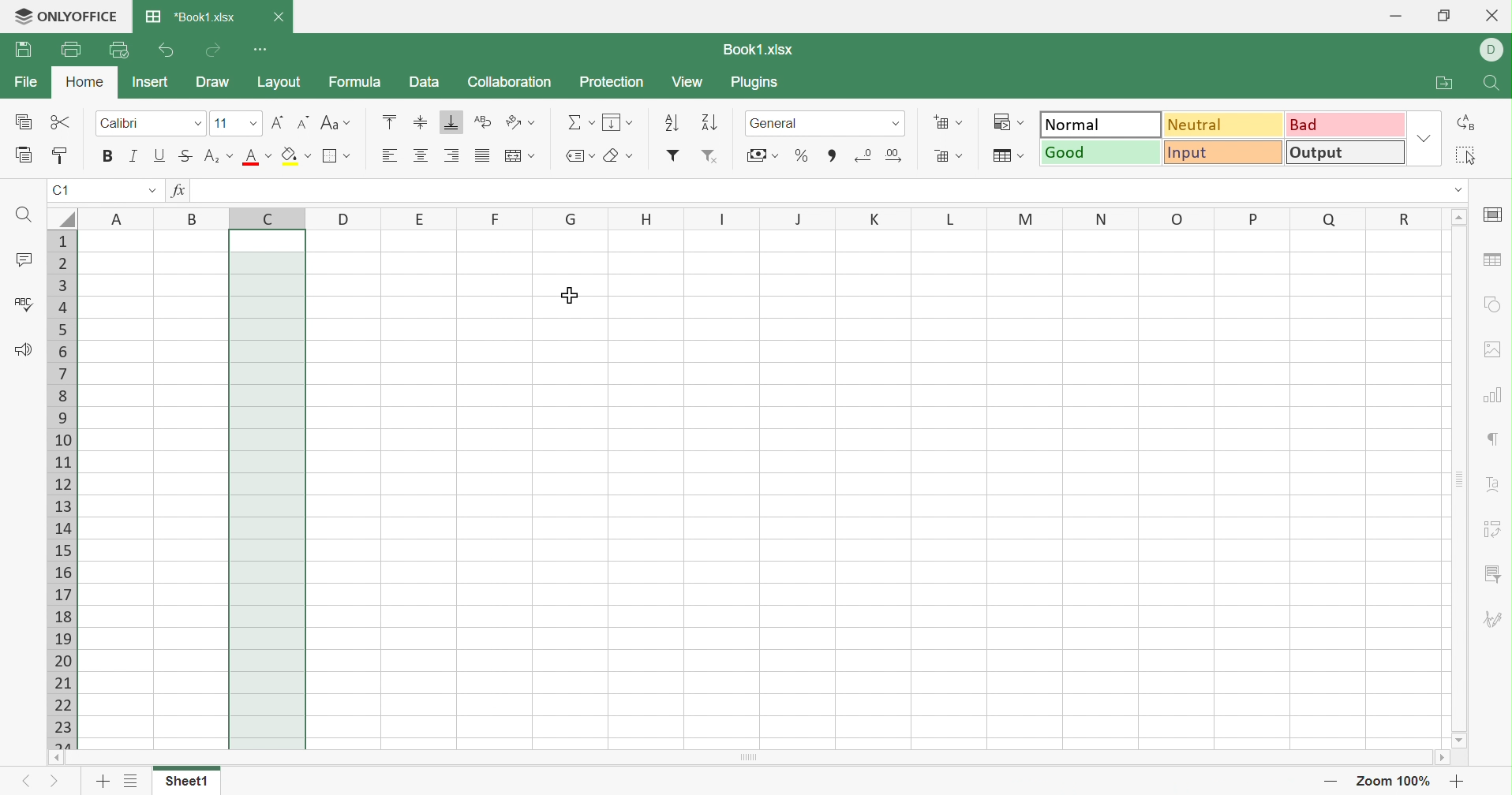 Image resolution: width=1512 pixels, height=795 pixels. I want to click on Book1.xlsx, so click(766, 47).